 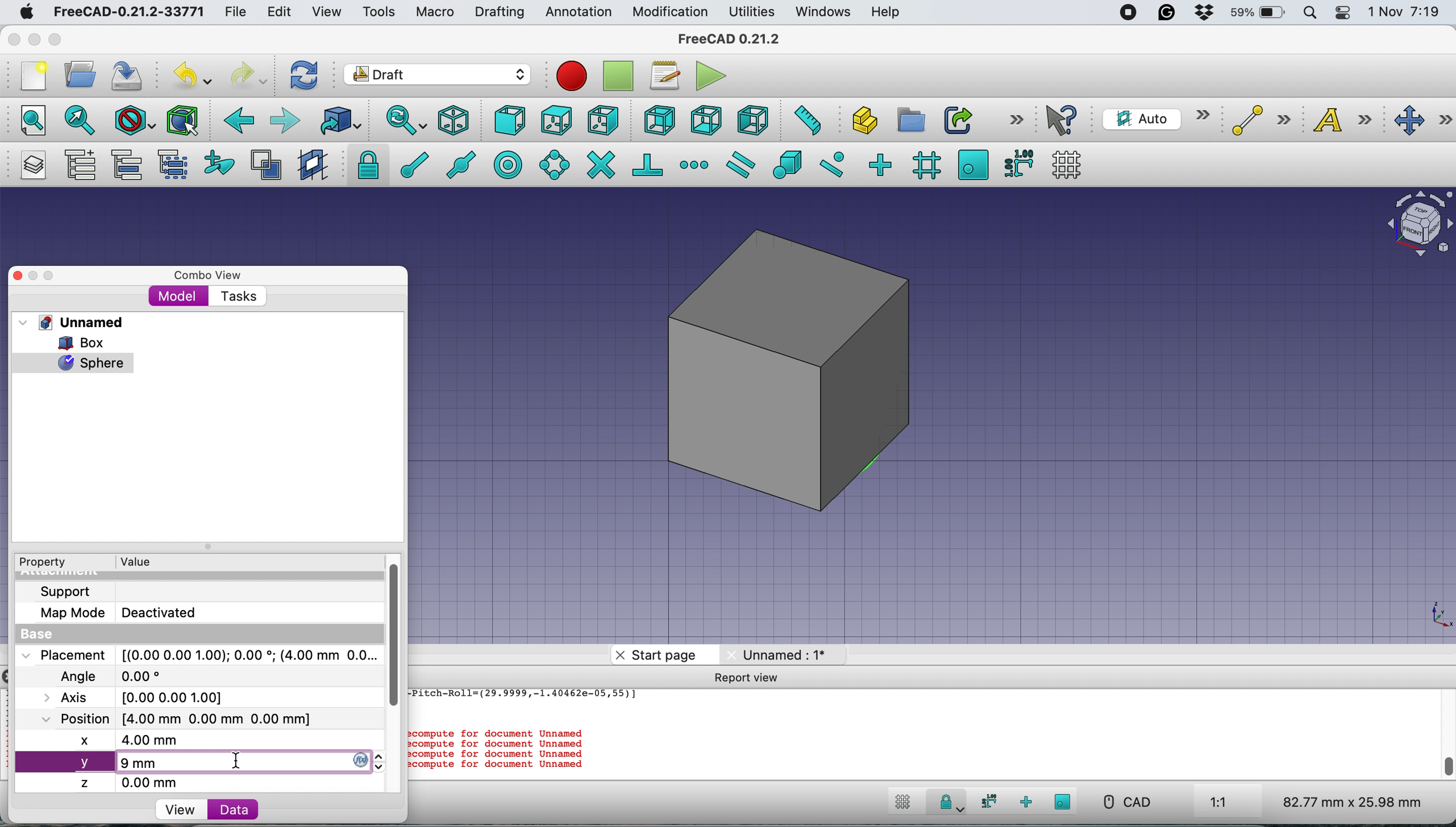 What do you see at coordinates (14, 36) in the screenshot?
I see `close` at bounding box center [14, 36].